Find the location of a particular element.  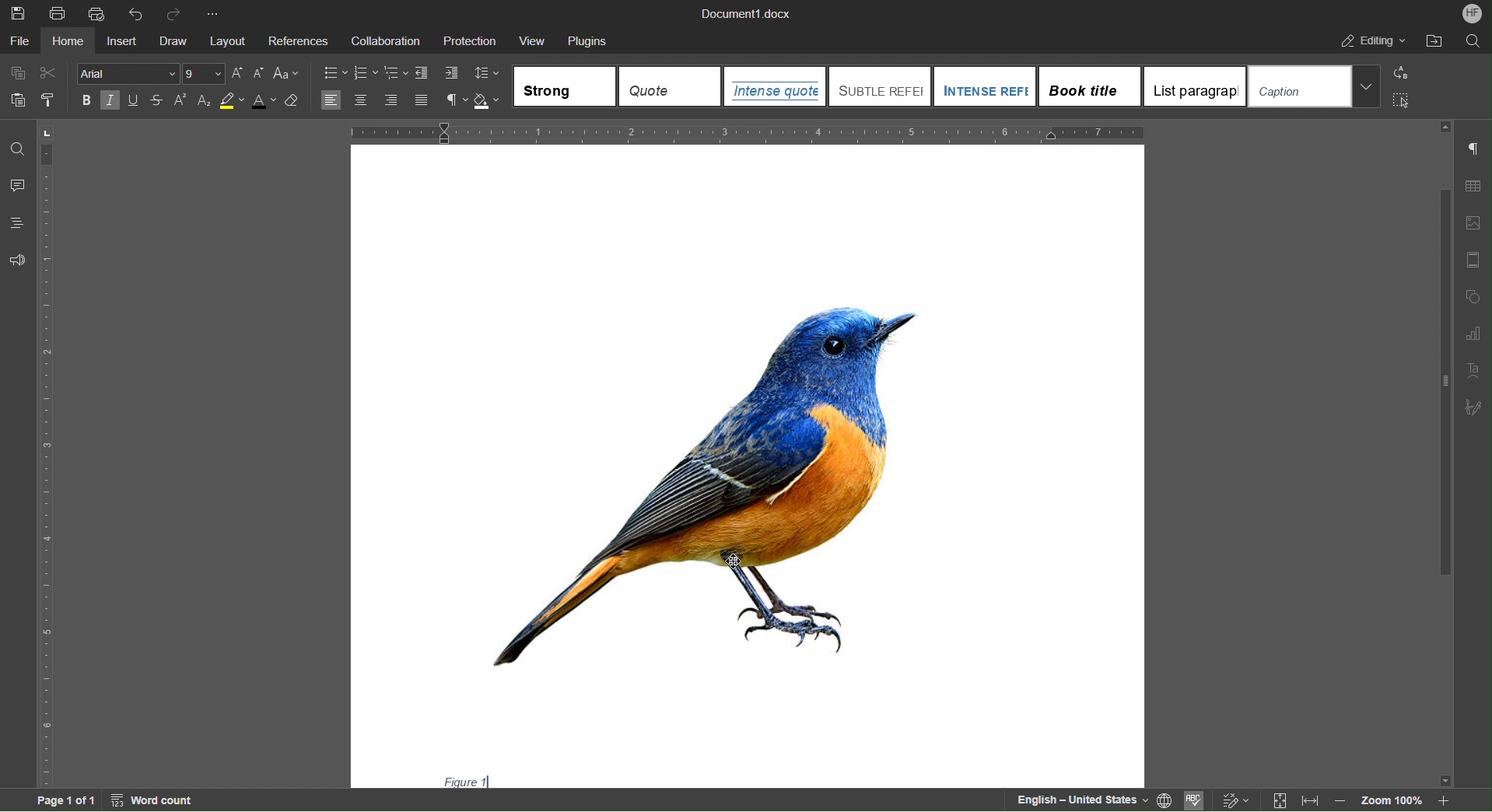

Find is located at coordinates (17, 147).